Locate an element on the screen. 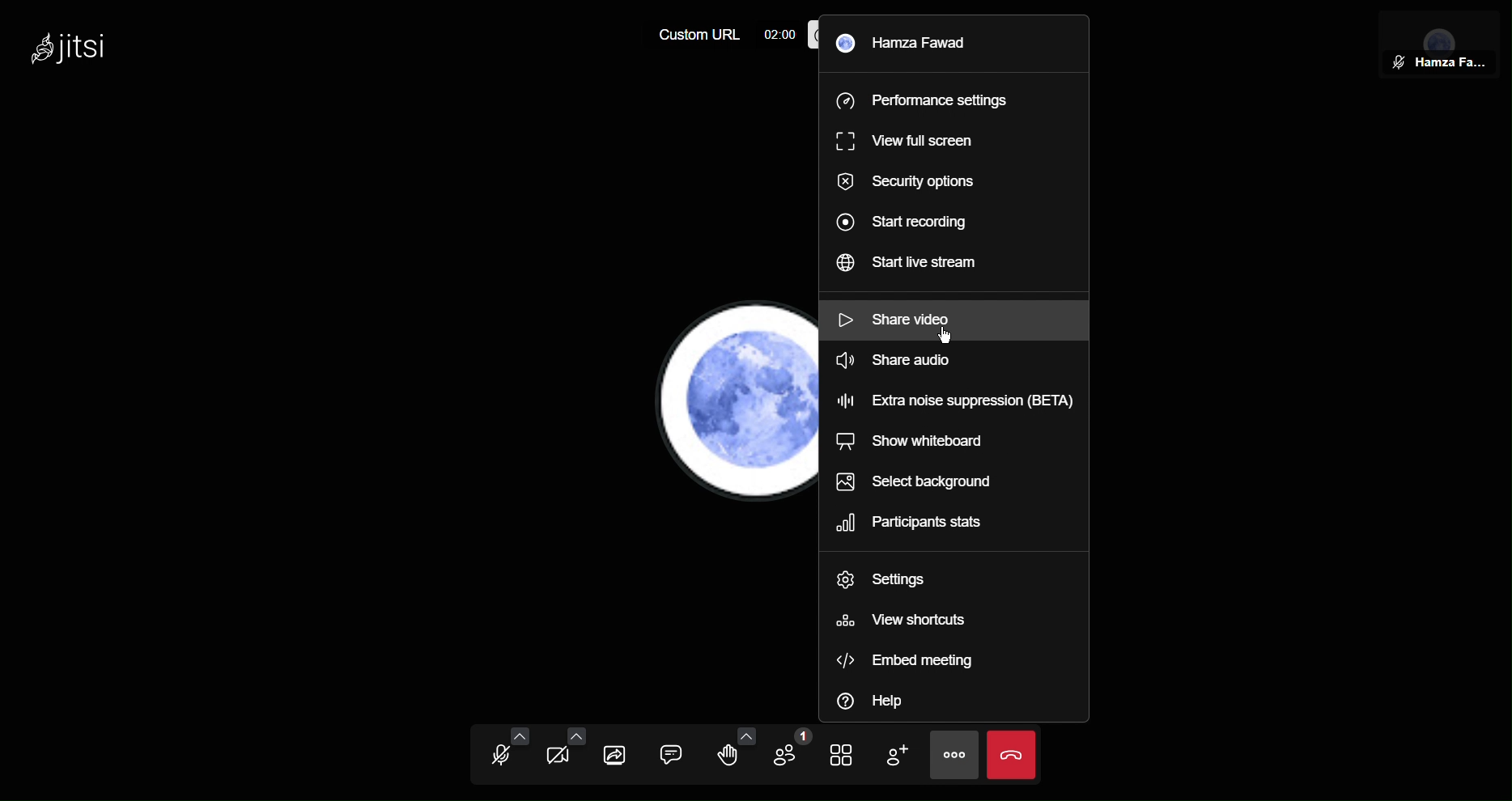 This screenshot has height=801, width=1512. Tile View is located at coordinates (848, 756).